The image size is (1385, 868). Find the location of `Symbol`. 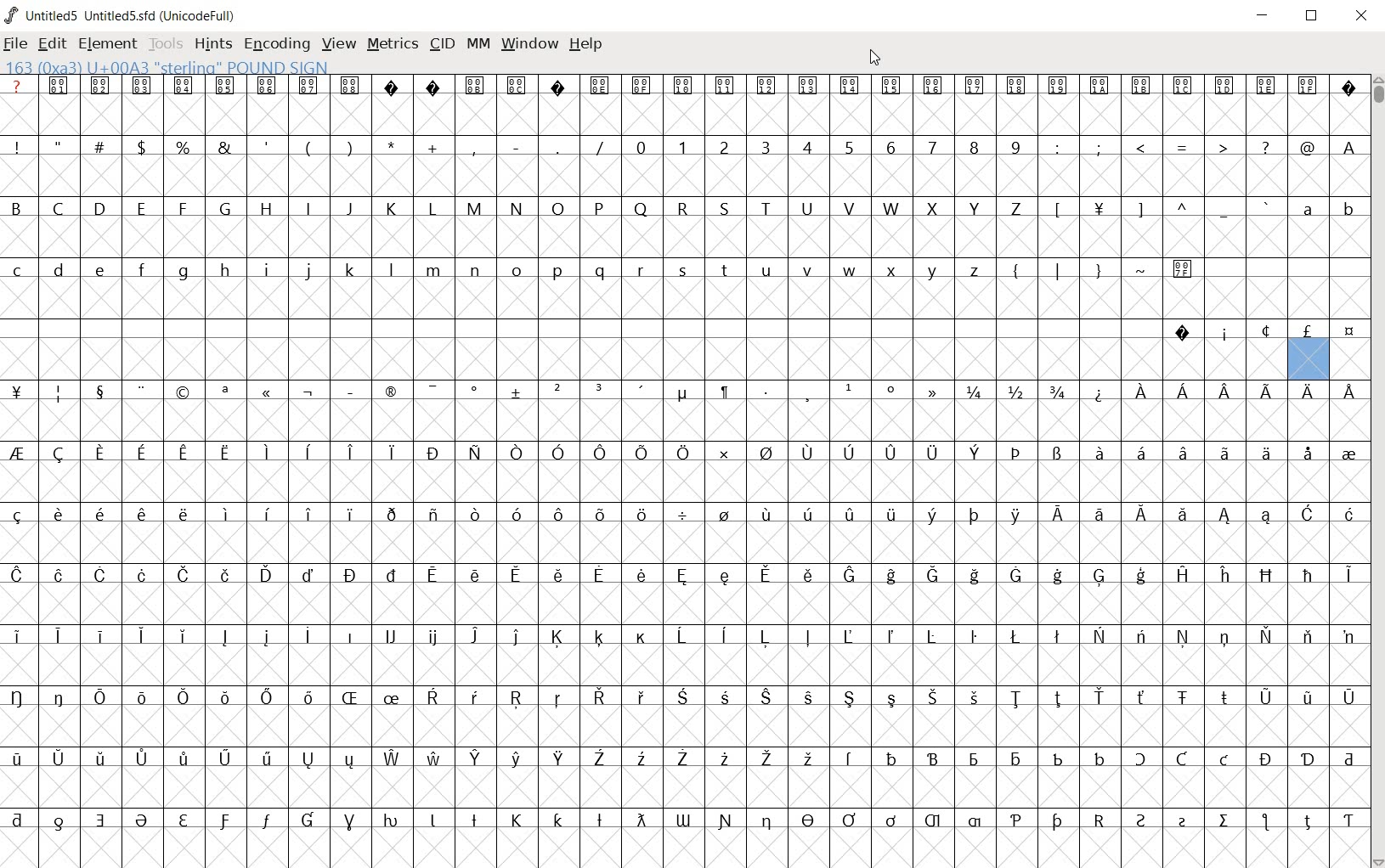

Symbol is located at coordinates (307, 451).